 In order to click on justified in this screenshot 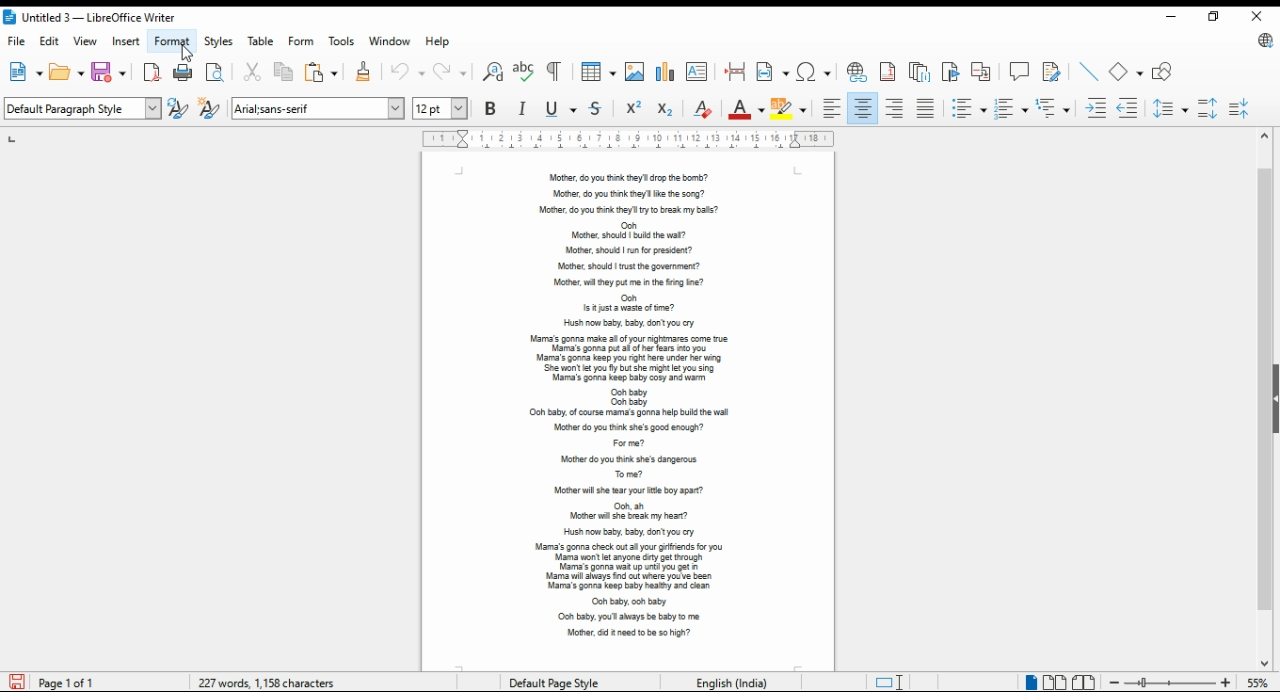, I will do `click(927, 108)`.